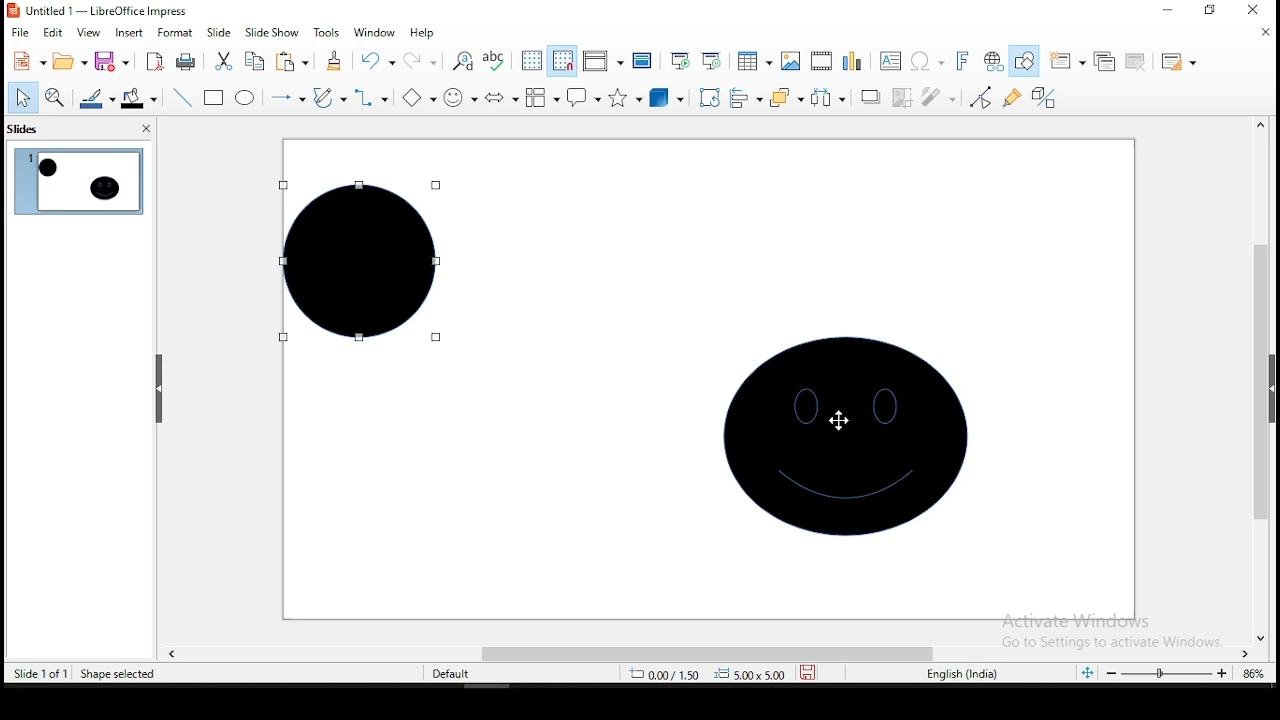  I want to click on zoom and pan, so click(55, 100).